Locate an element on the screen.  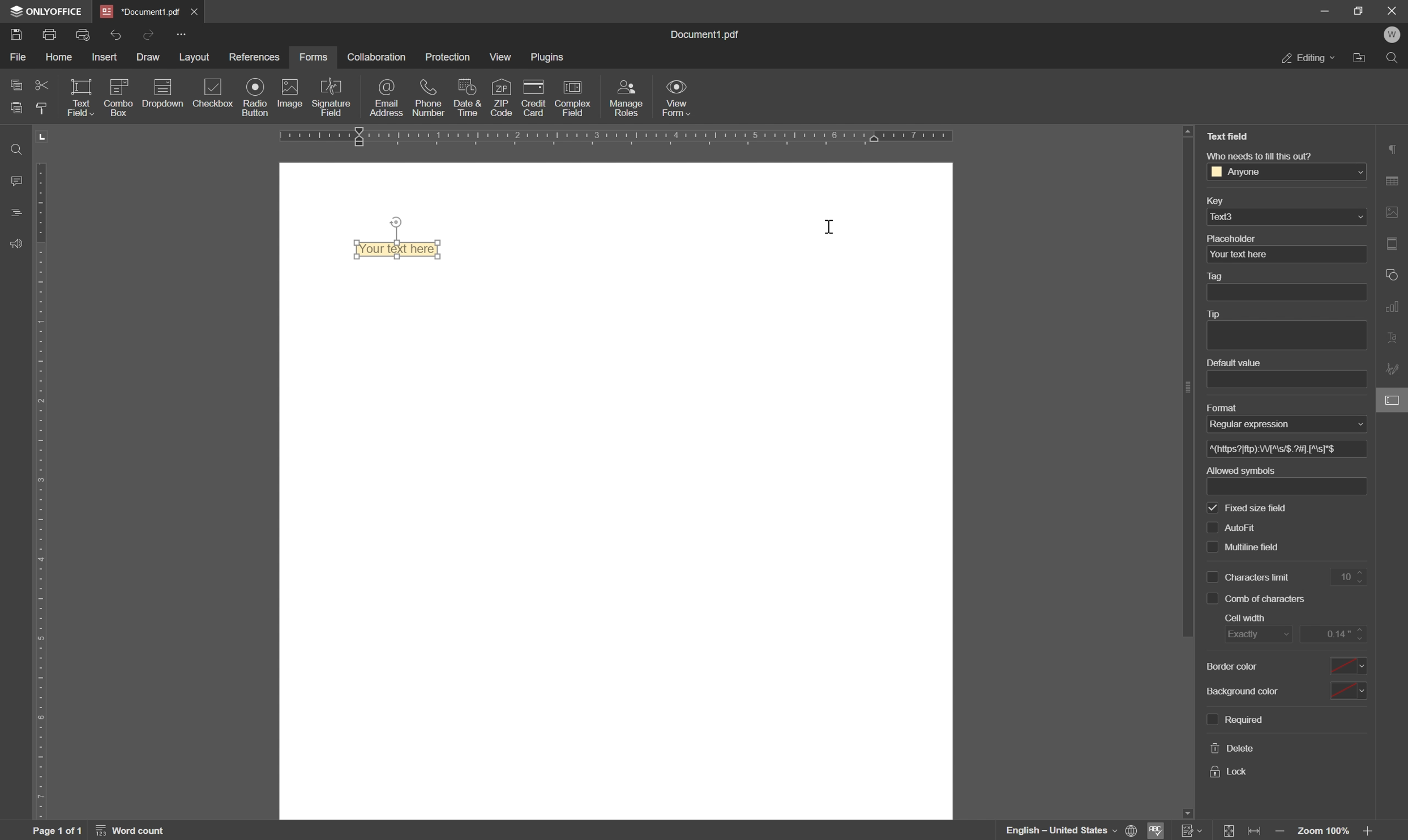
checkbox is located at coordinates (1212, 575).